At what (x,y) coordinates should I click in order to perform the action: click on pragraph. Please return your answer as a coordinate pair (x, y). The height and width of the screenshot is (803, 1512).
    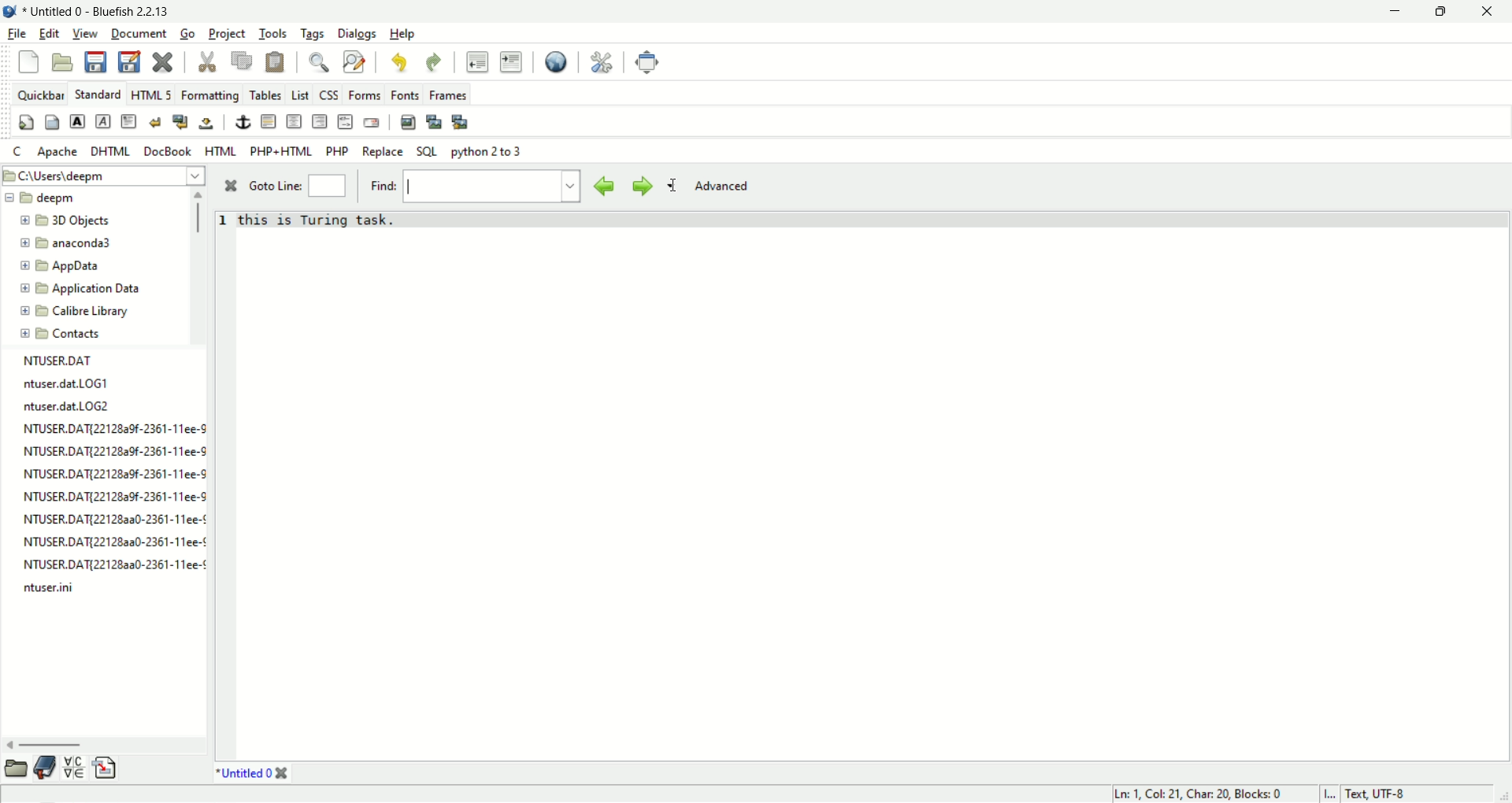
    Looking at the image, I should click on (129, 121).